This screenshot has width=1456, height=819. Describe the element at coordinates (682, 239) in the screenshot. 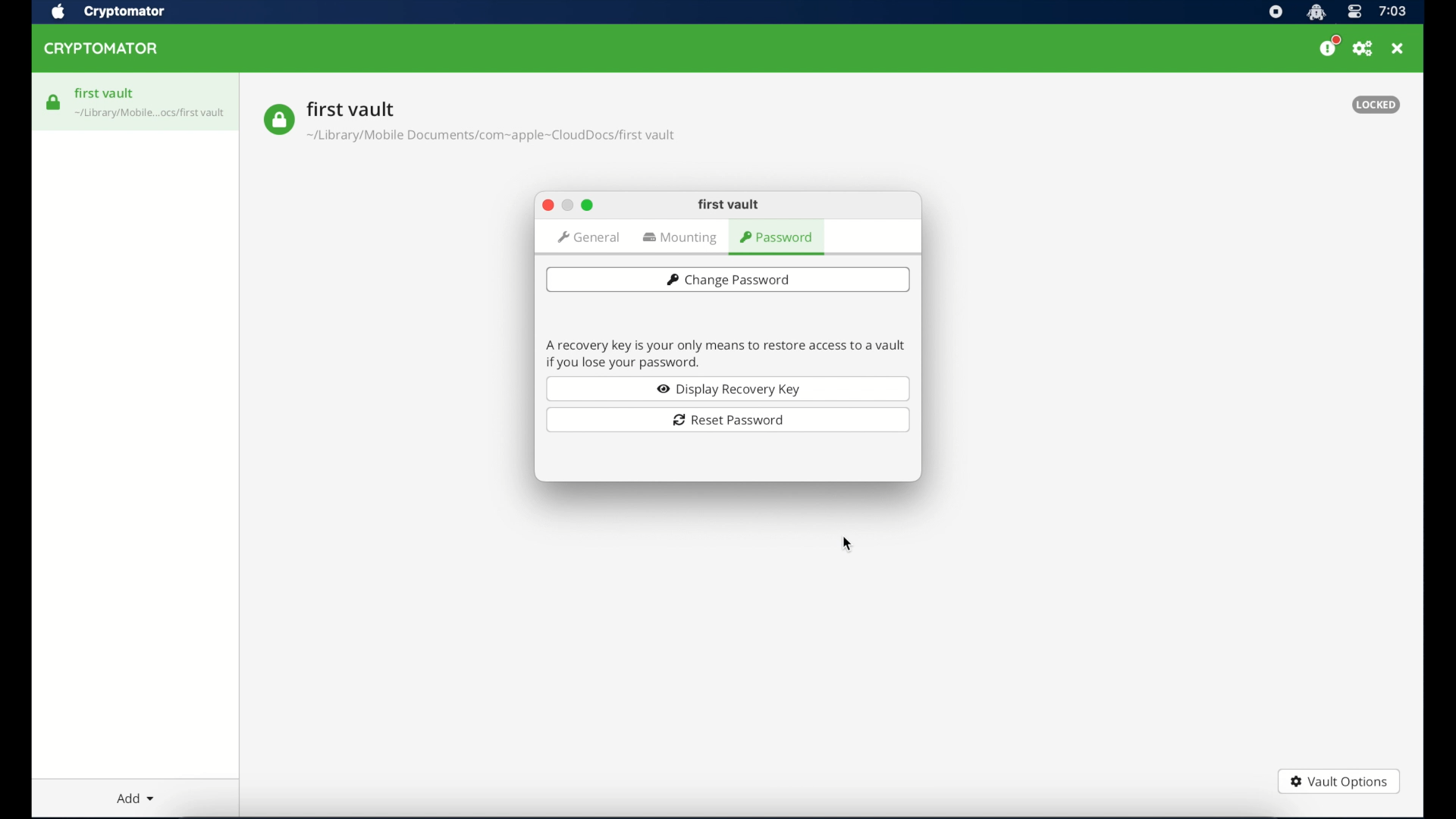

I see `mounting` at that location.